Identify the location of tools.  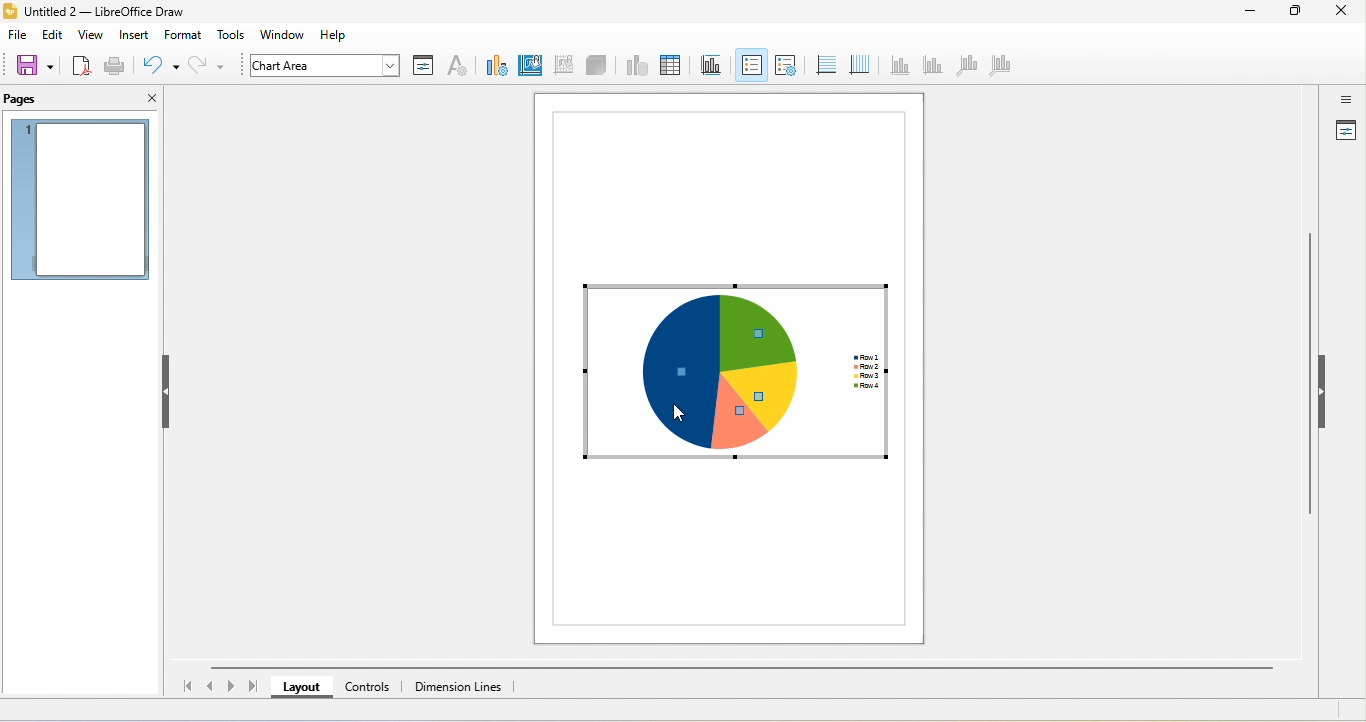
(232, 36).